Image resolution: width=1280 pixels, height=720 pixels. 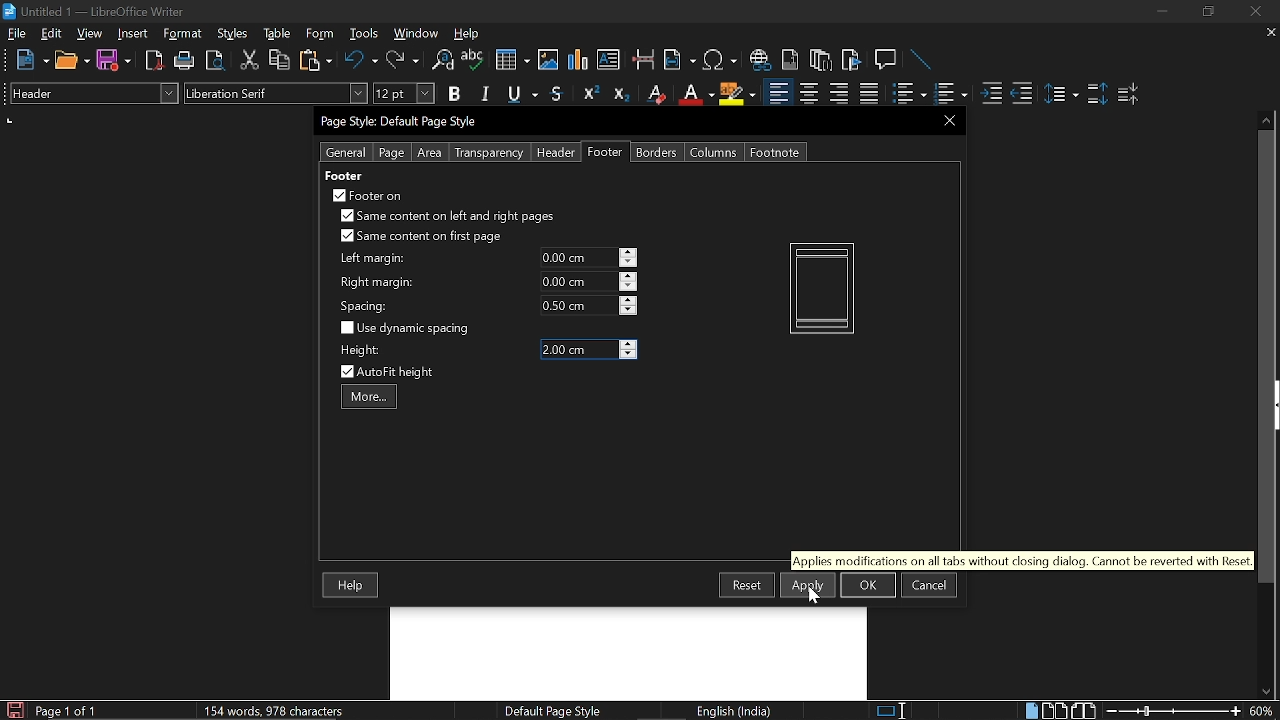 I want to click on decrease paragraph spacing Decrease paragraph spacing, so click(x=1130, y=93).